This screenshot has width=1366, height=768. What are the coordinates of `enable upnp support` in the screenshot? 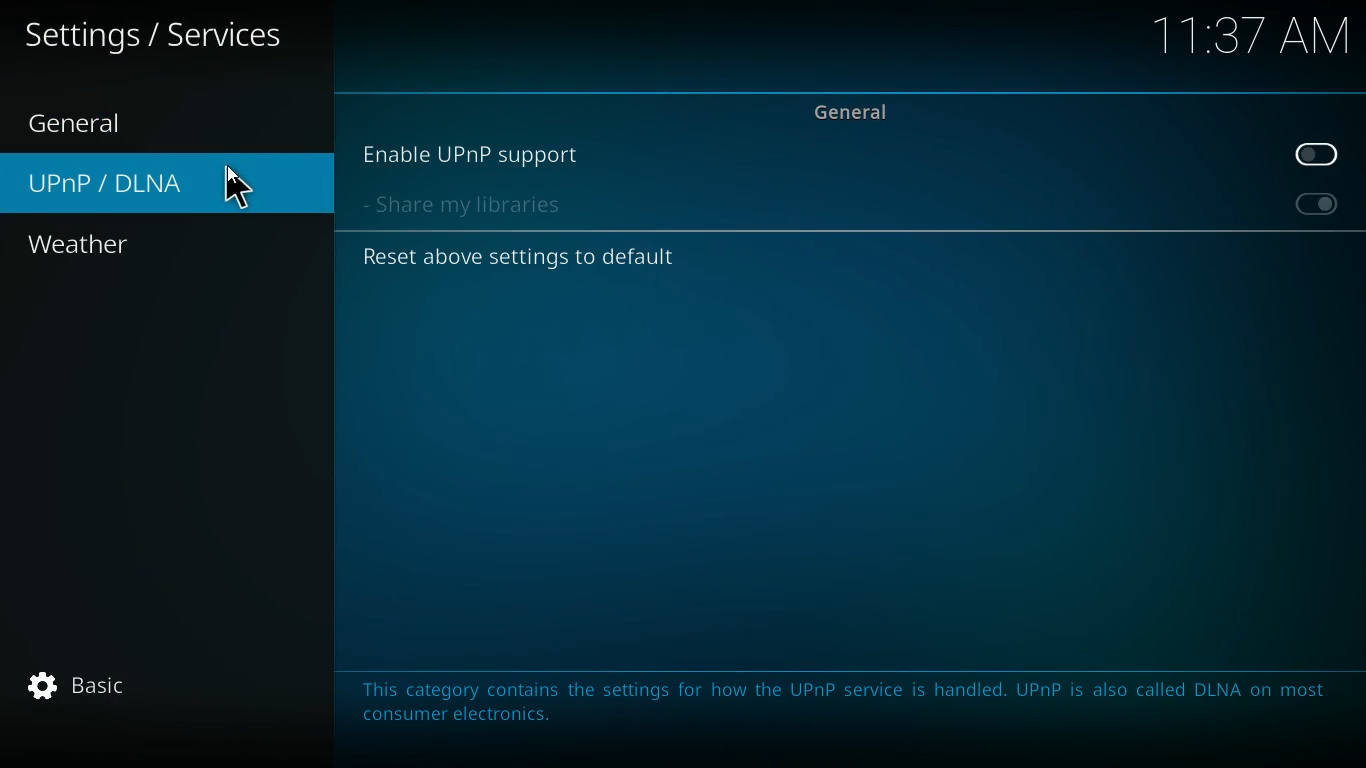 It's located at (480, 156).